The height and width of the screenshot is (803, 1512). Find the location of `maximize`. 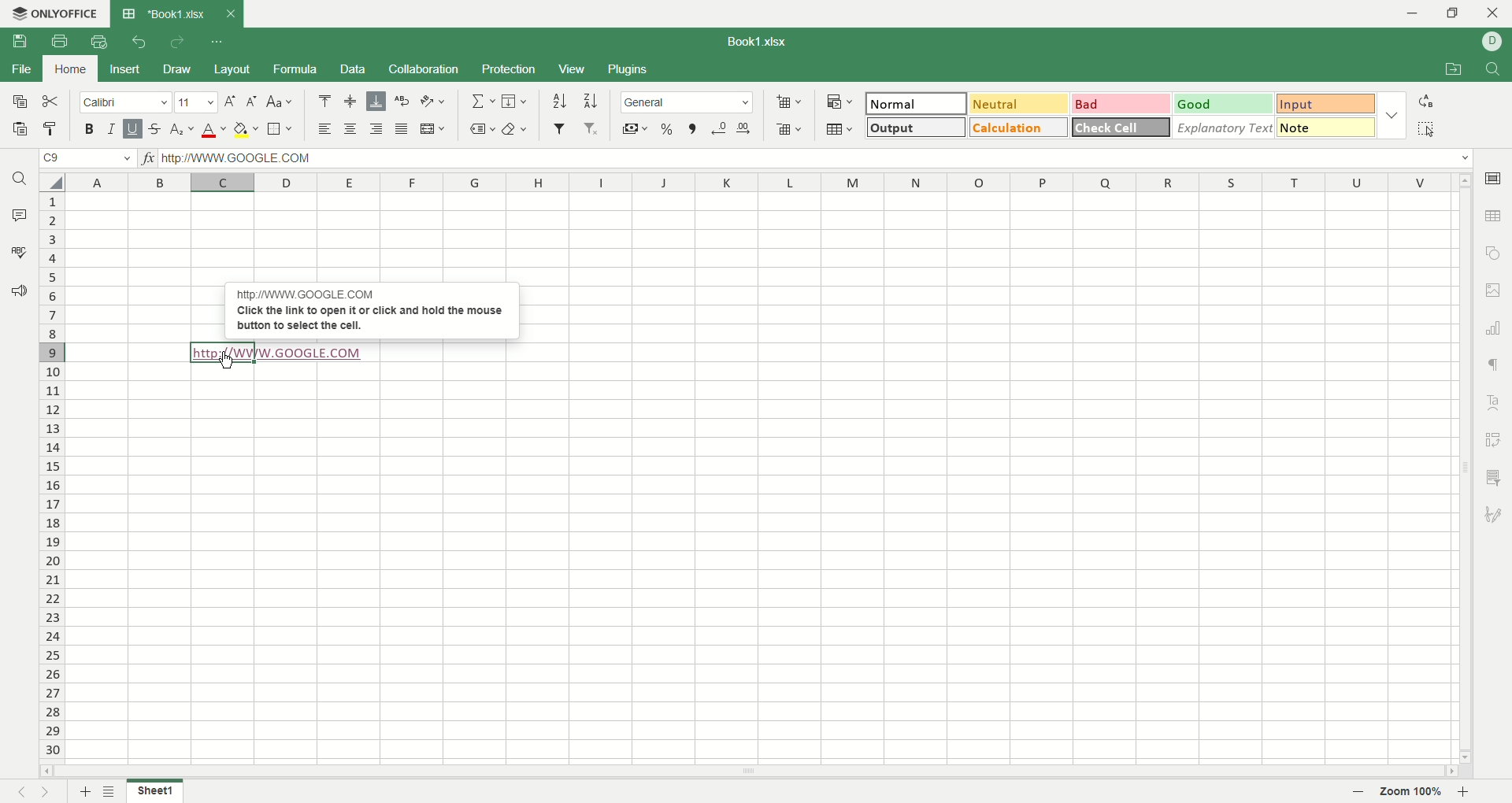

maximize is located at coordinates (1453, 13).